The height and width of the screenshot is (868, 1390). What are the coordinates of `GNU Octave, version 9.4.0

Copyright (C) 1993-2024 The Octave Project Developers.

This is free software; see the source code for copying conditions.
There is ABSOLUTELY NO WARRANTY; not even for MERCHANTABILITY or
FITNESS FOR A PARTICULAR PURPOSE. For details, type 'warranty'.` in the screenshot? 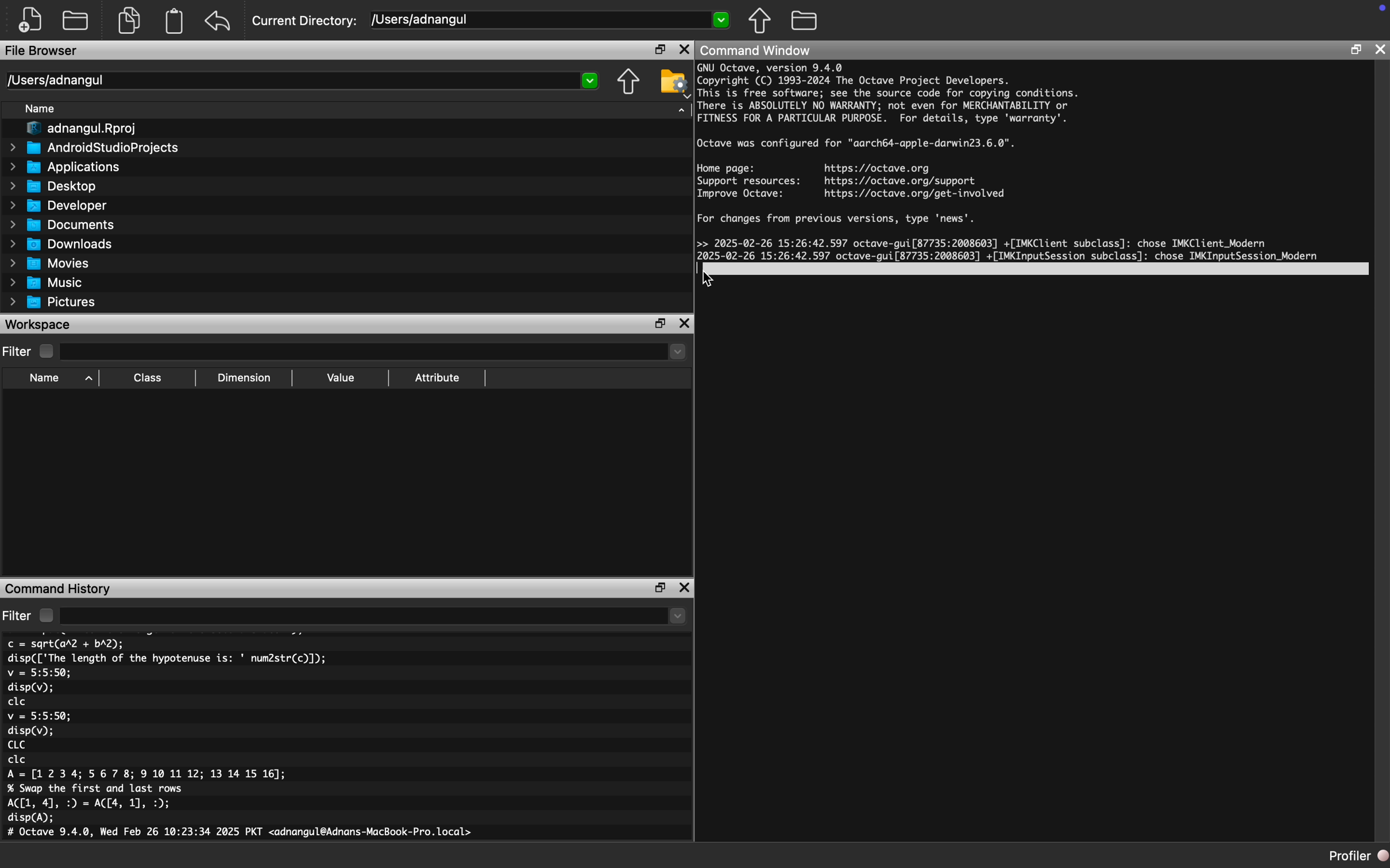 It's located at (889, 95).